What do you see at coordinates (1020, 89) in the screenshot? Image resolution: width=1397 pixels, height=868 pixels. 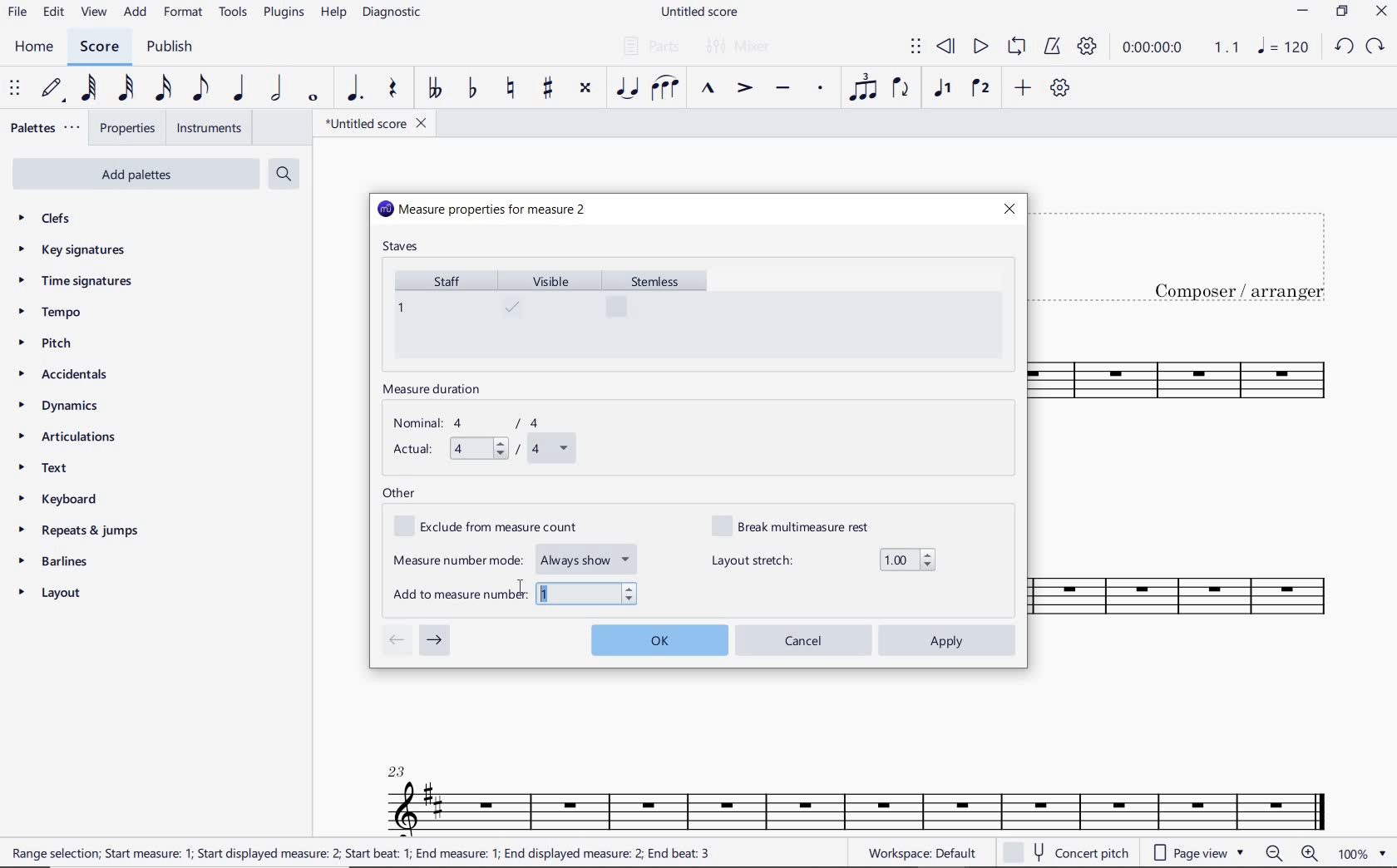 I see `ADD` at bounding box center [1020, 89].